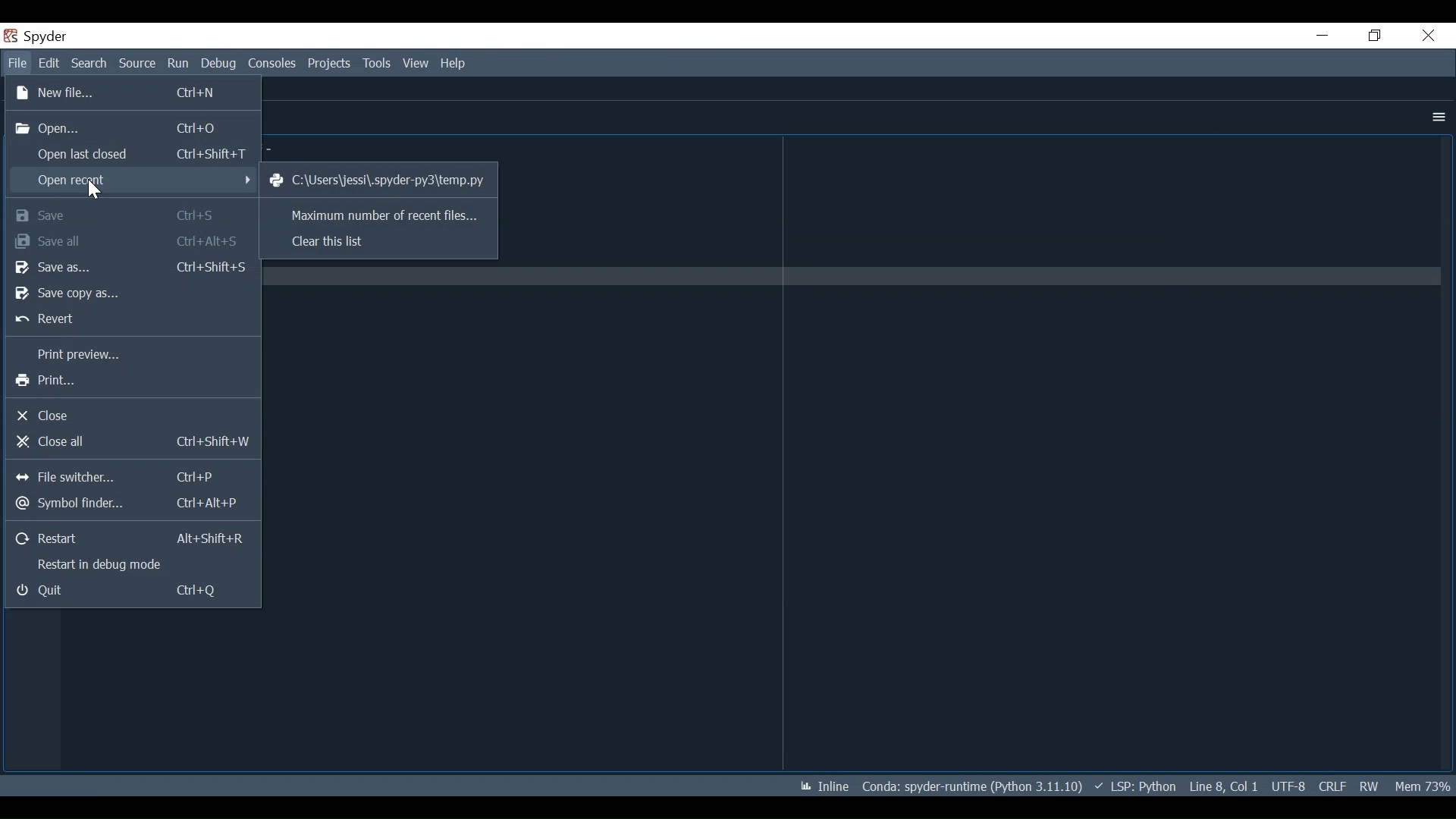  What do you see at coordinates (271, 64) in the screenshot?
I see `Consoles` at bounding box center [271, 64].